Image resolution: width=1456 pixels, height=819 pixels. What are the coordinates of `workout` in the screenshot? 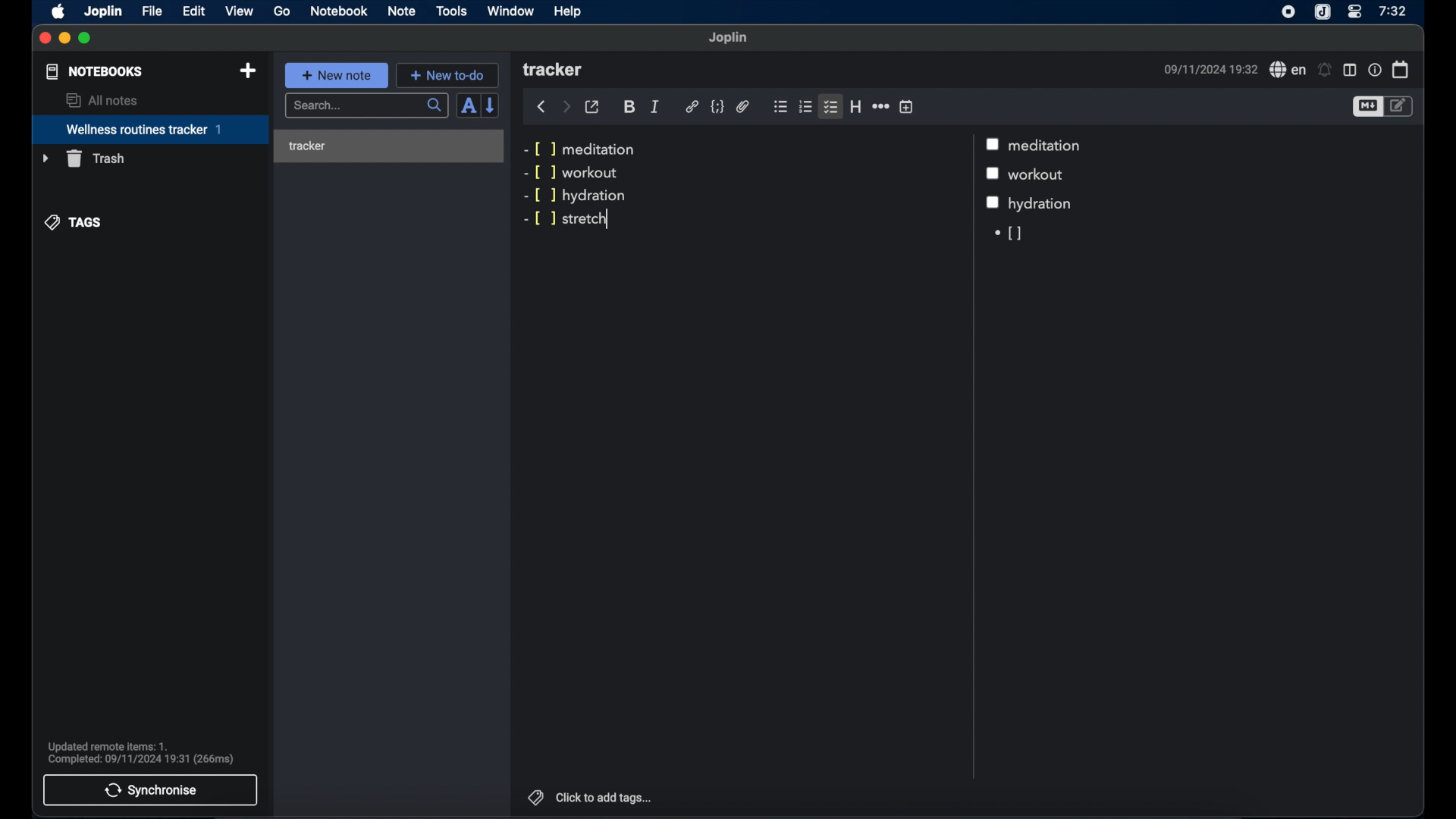 It's located at (1041, 175).